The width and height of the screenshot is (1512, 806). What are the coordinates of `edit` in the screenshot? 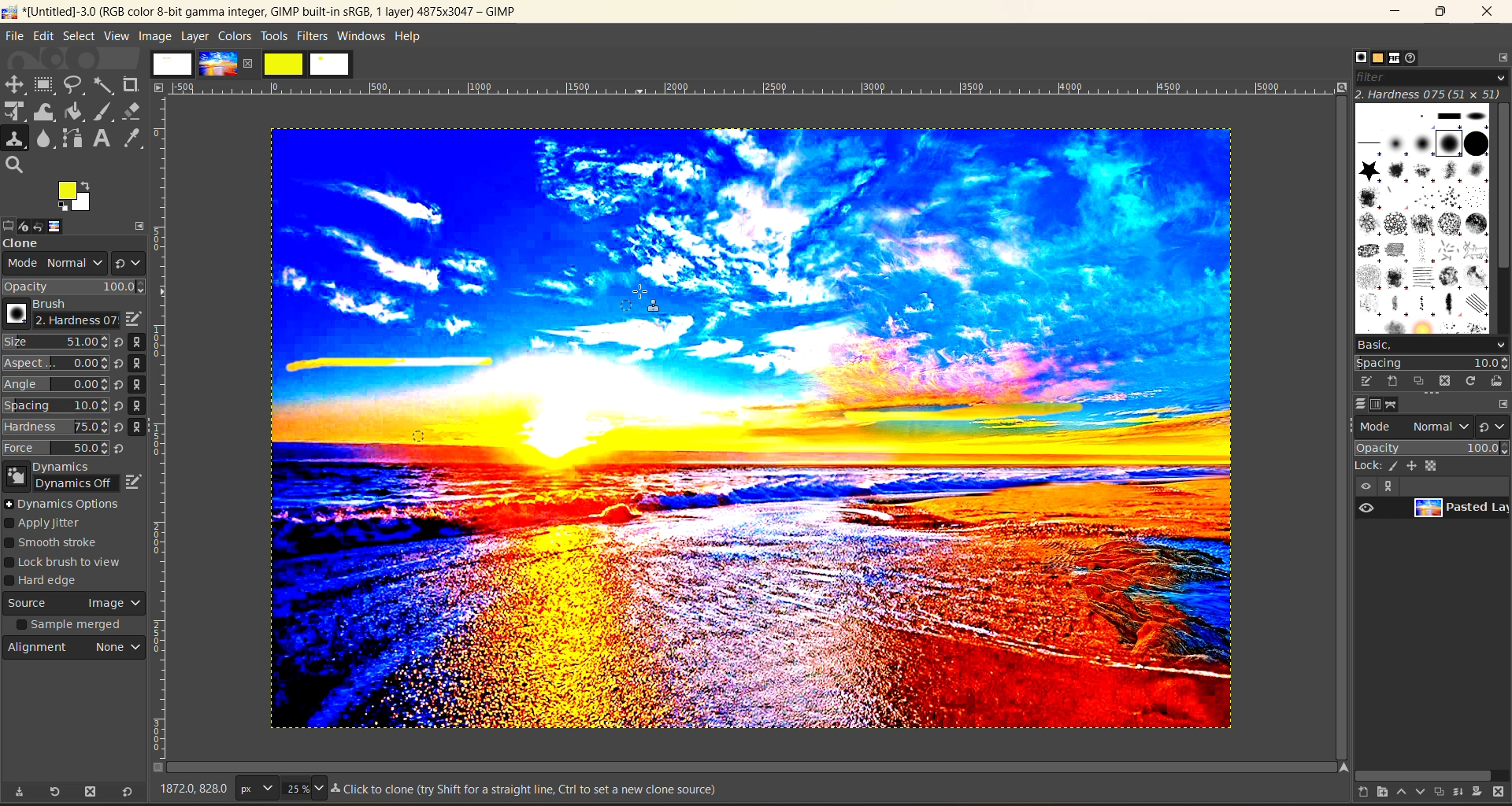 It's located at (43, 35).